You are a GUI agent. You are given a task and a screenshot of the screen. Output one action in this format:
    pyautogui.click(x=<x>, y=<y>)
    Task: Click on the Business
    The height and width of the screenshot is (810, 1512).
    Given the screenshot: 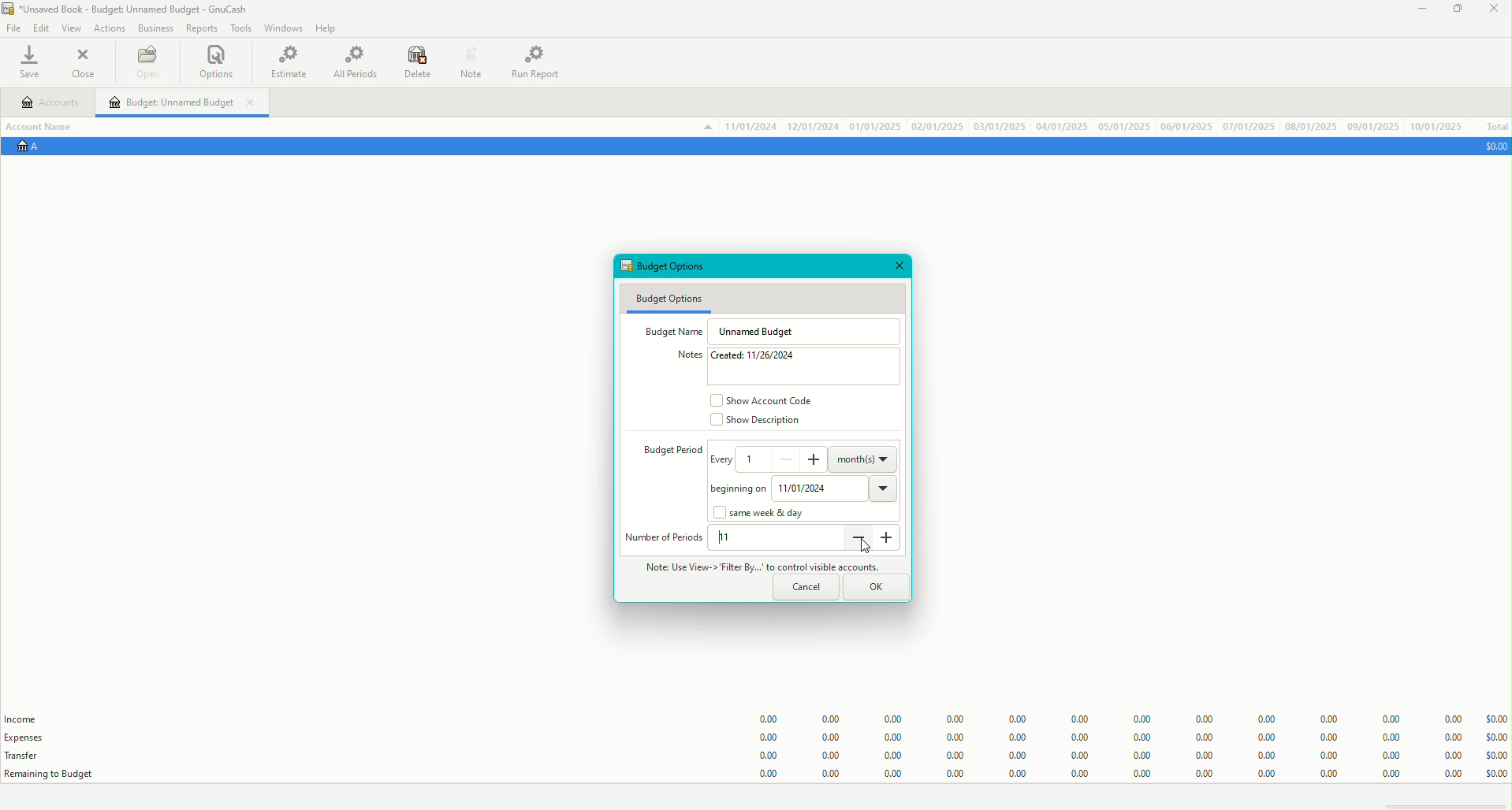 What is the action you would take?
    pyautogui.click(x=156, y=28)
    